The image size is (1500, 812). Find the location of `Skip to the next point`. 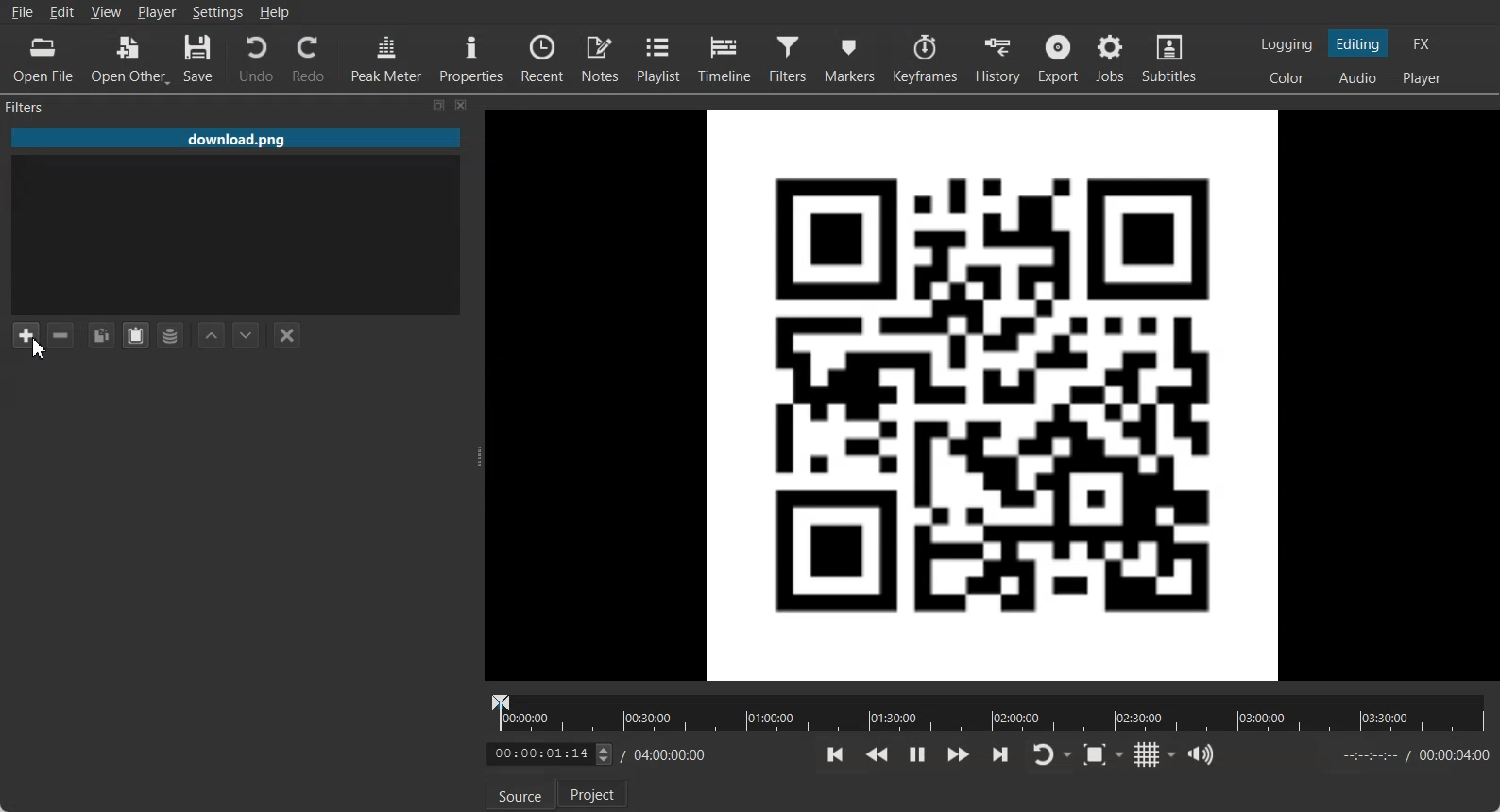

Skip to the next point is located at coordinates (999, 753).